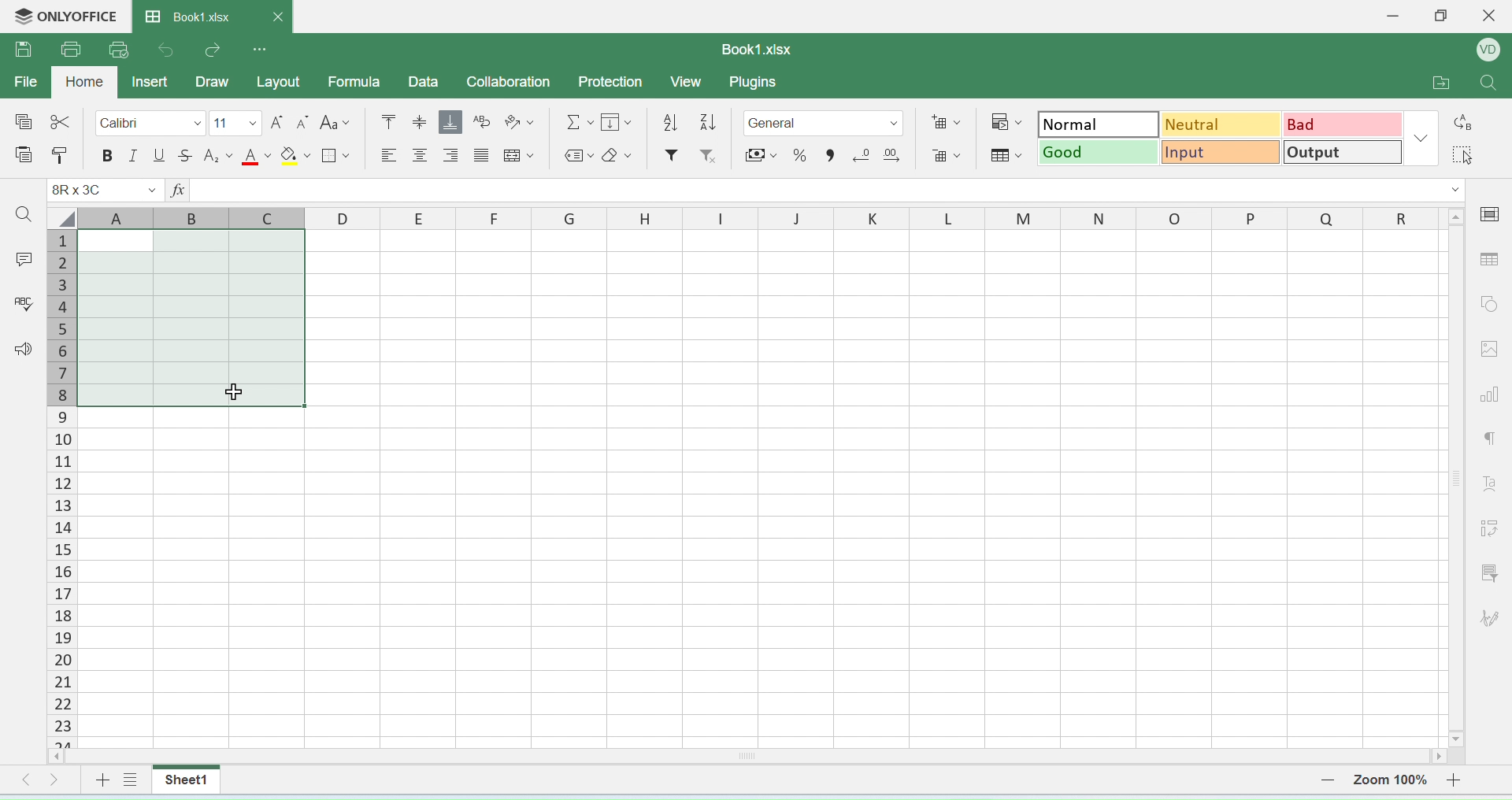  I want to click on special, so click(22, 122).